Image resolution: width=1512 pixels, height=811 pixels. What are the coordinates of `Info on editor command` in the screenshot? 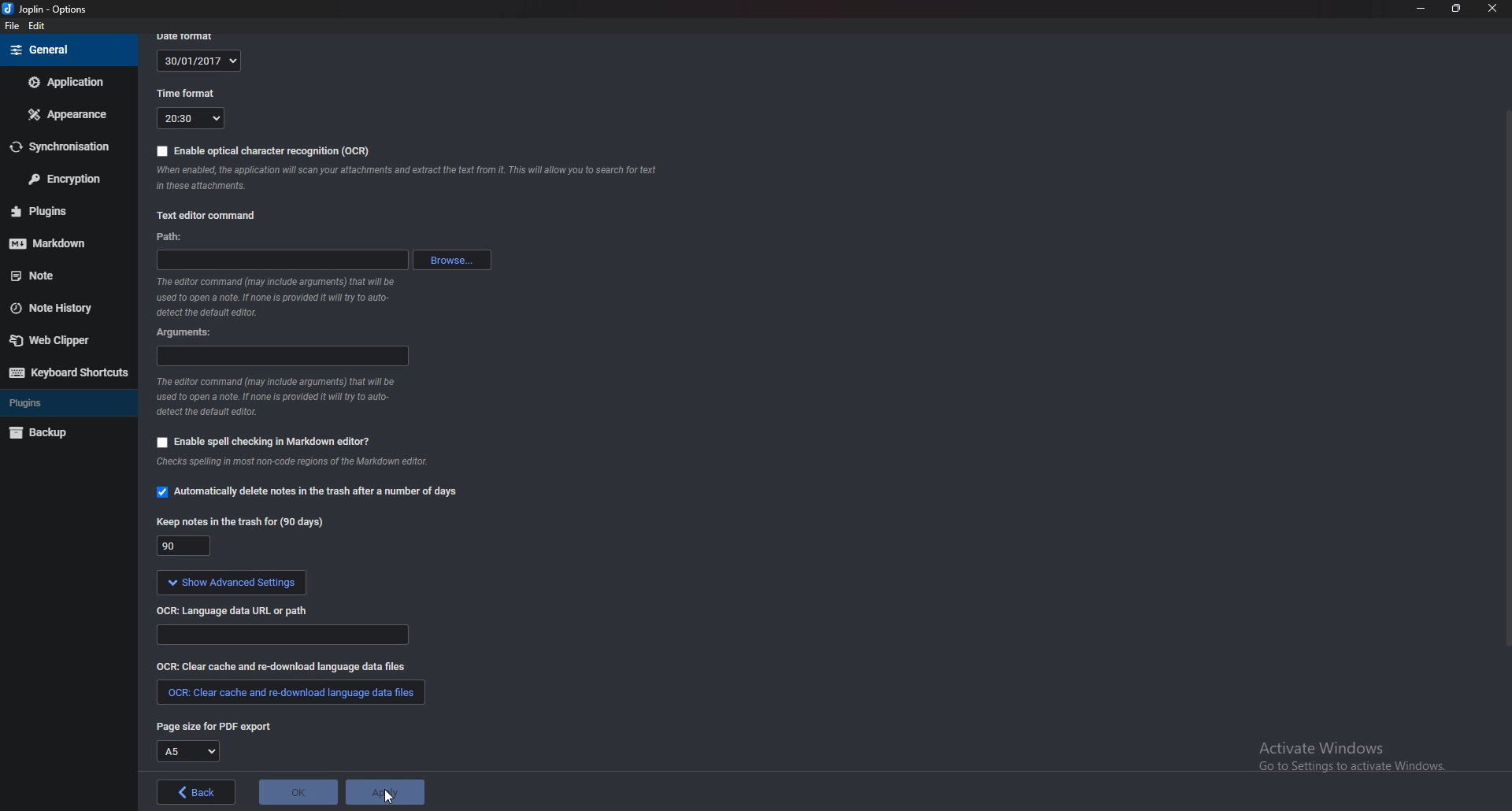 It's located at (280, 297).